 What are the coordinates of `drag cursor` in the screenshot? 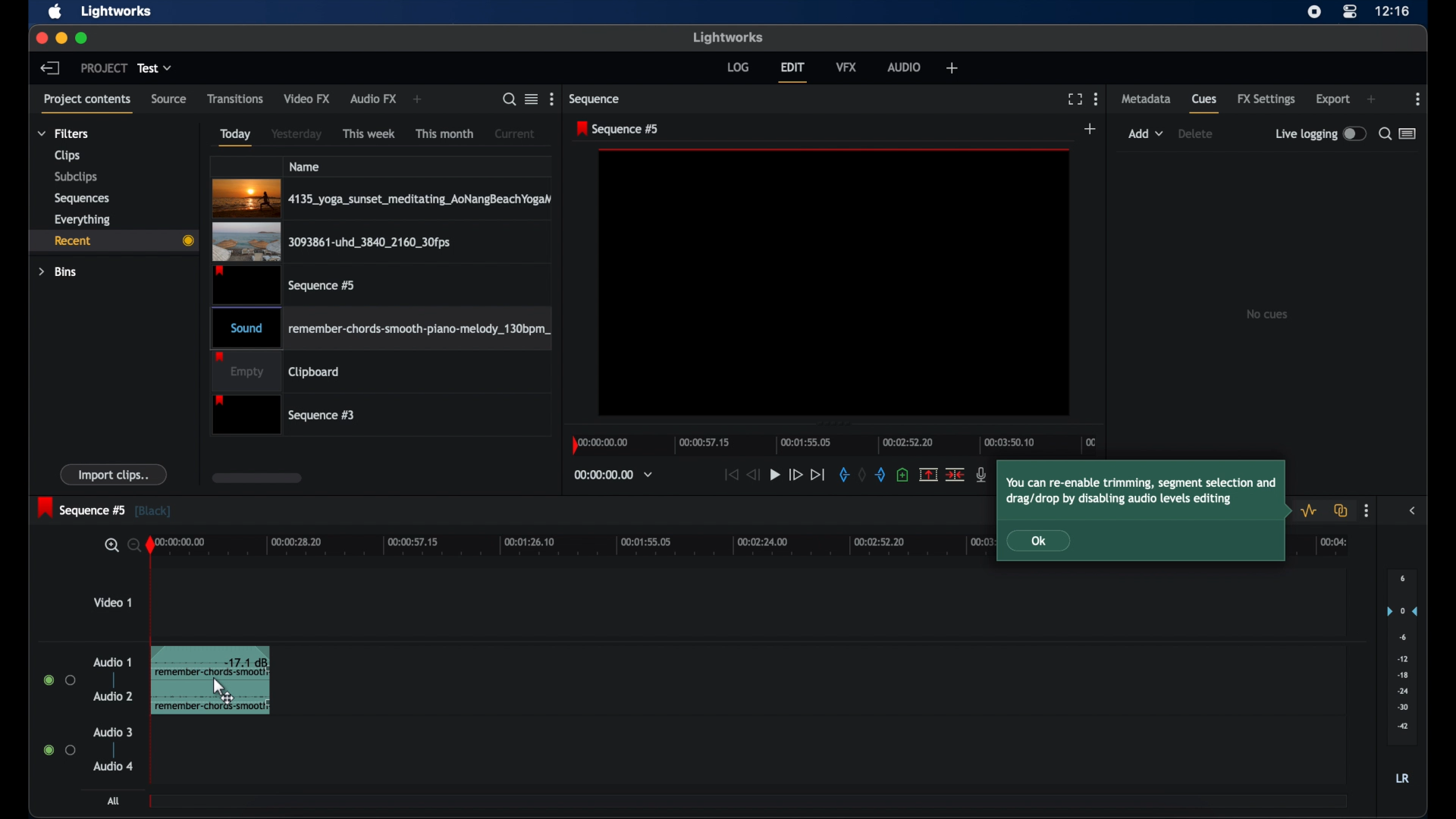 It's located at (219, 692).